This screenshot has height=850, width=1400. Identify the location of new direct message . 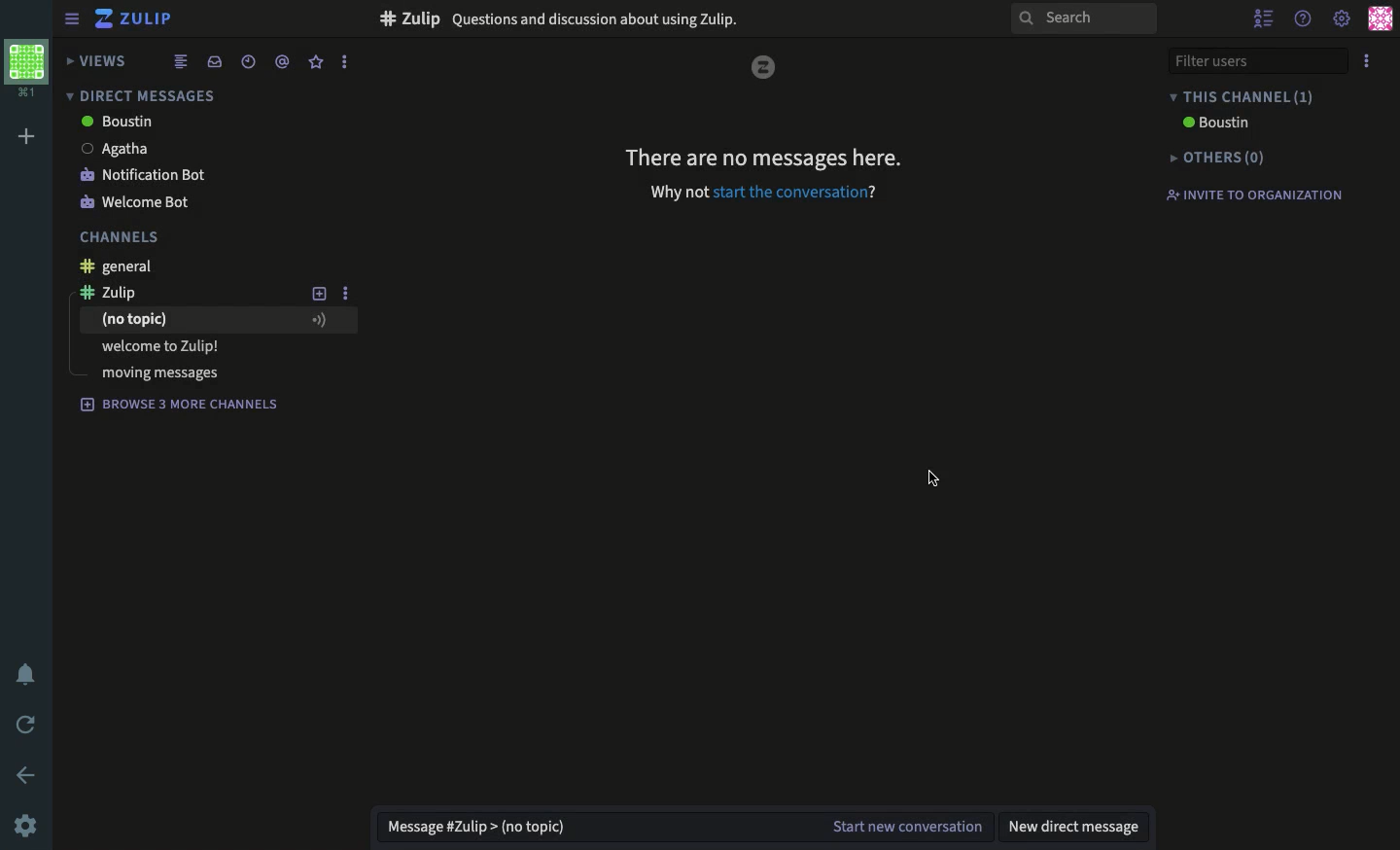
(1076, 822).